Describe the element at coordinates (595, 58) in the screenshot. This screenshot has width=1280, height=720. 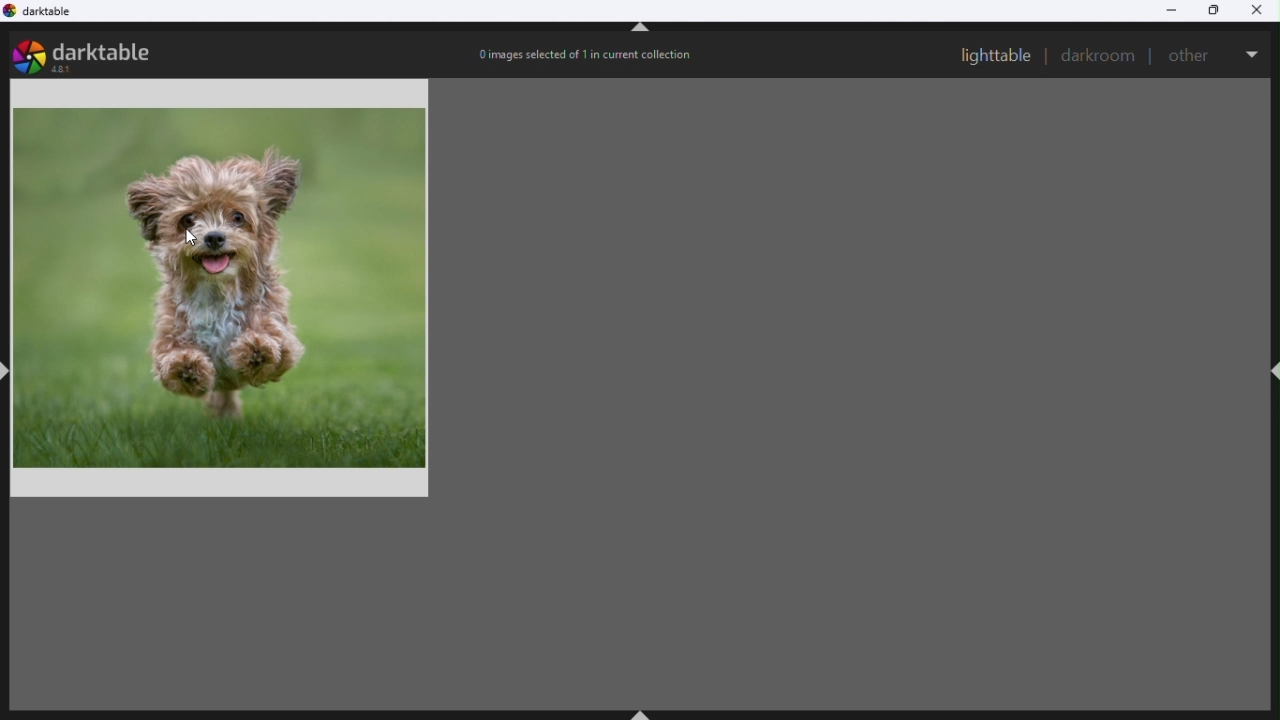
I see `Image selection status` at that location.